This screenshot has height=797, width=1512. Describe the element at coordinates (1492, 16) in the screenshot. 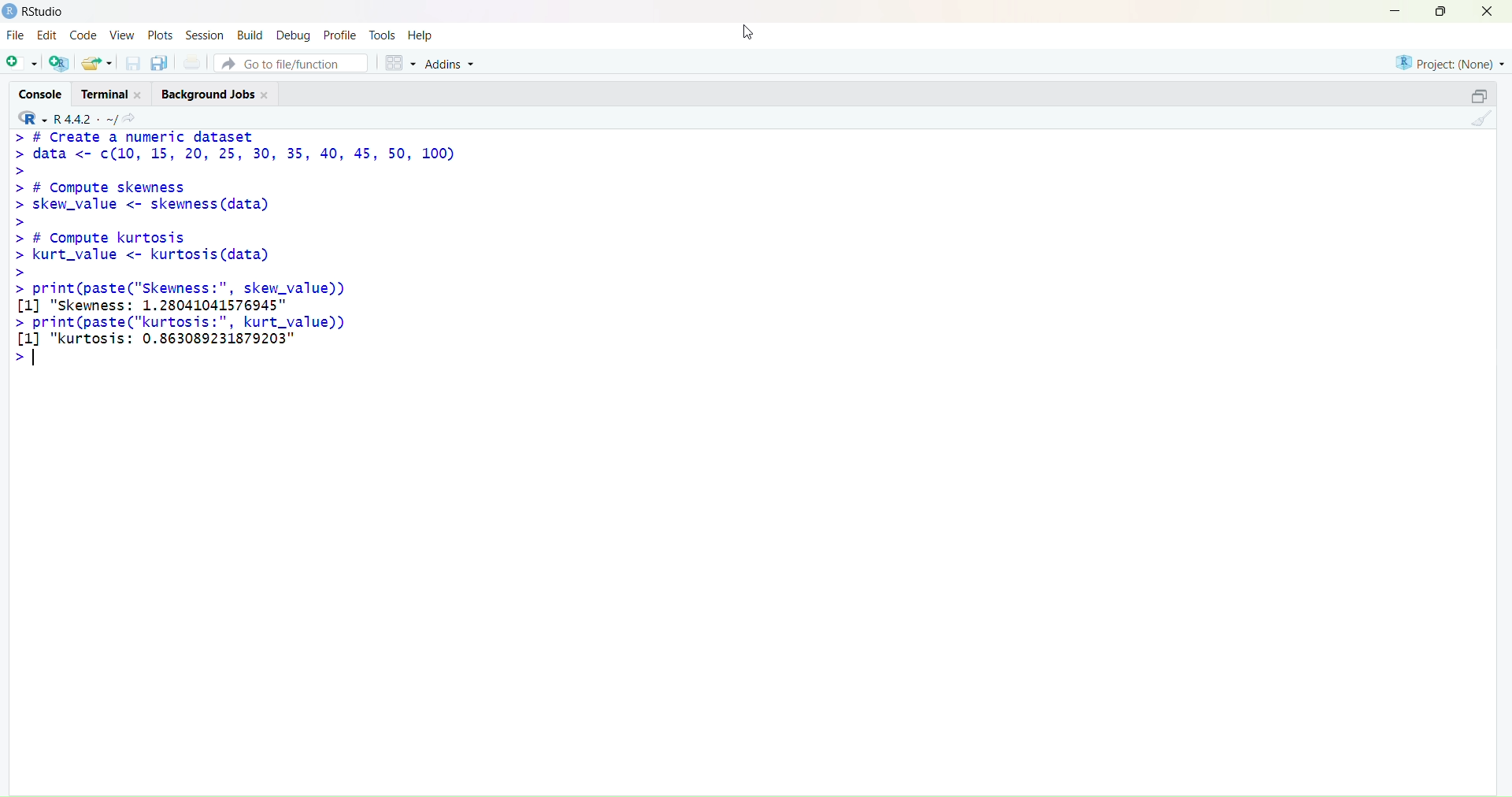

I see `Close` at that location.